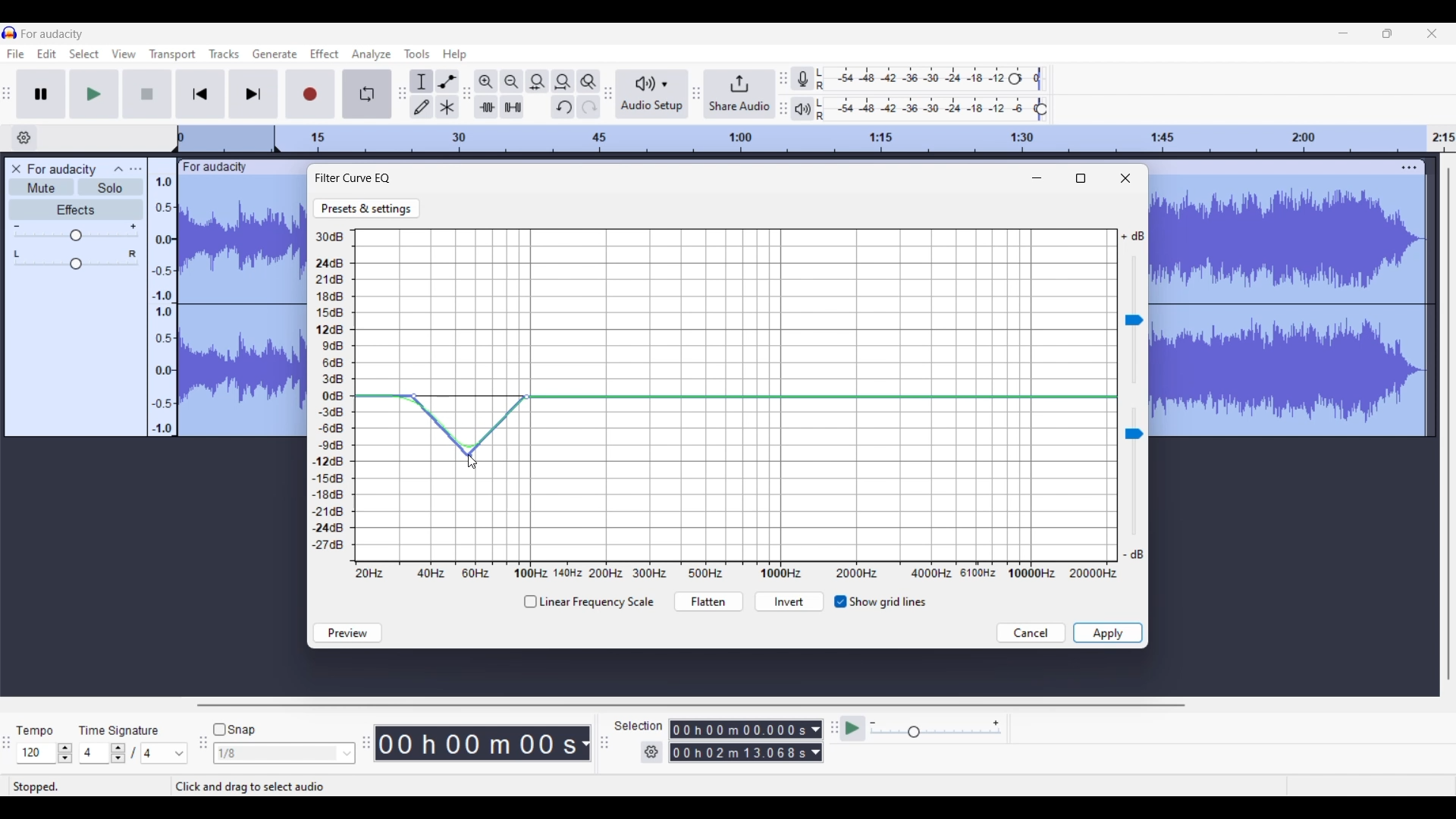  What do you see at coordinates (165, 754) in the screenshot?
I see `Max. time signature options` at bounding box center [165, 754].